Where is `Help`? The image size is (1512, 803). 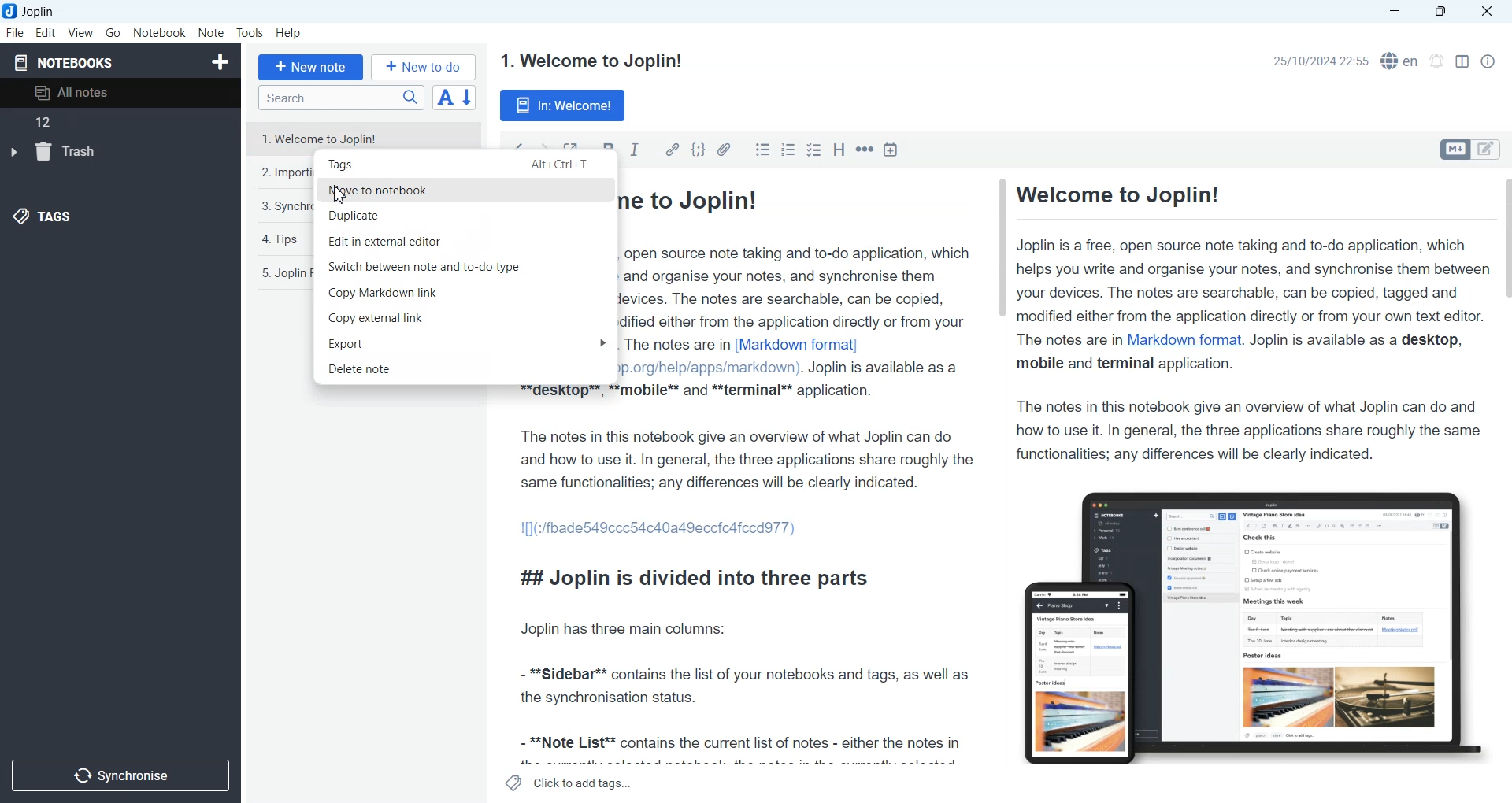
Help is located at coordinates (290, 34).